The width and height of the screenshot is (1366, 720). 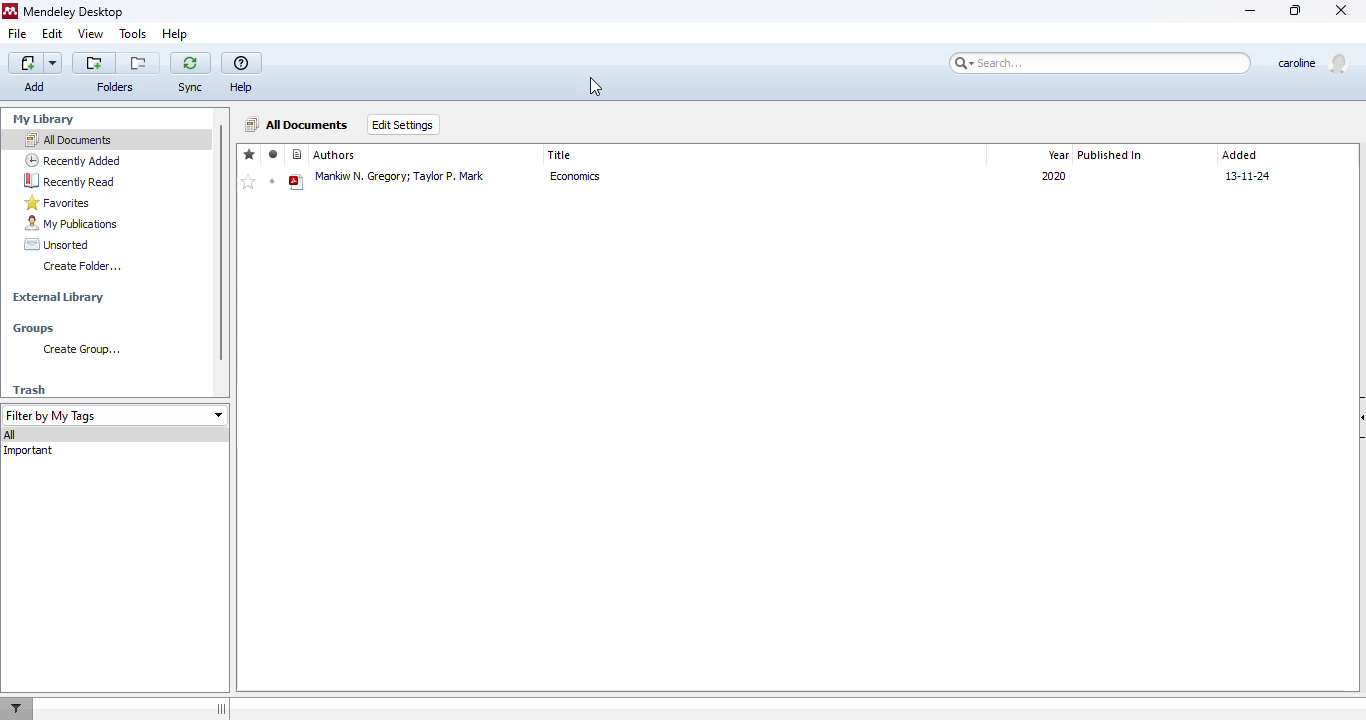 What do you see at coordinates (114, 87) in the screenshot?
I see `folders` at bounding box center [114, 87].